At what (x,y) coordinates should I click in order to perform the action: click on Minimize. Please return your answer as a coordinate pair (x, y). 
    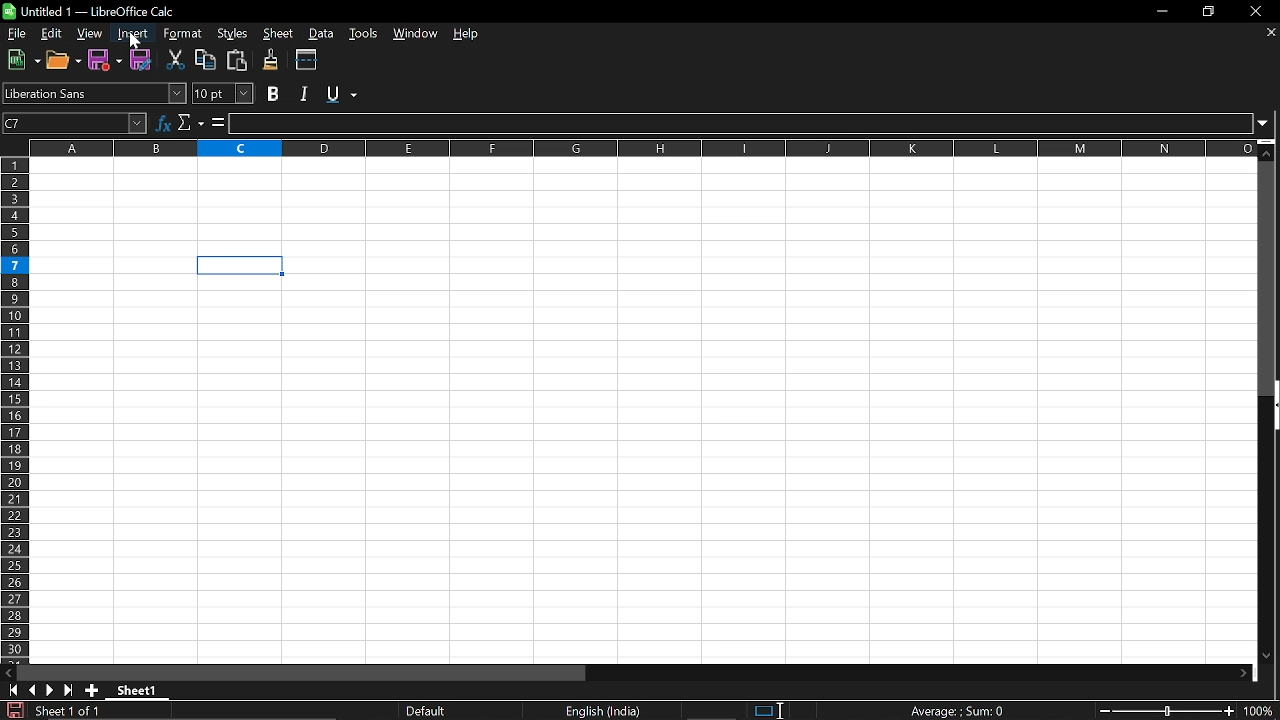
    Looking at the image, I should click on (1158, 11).